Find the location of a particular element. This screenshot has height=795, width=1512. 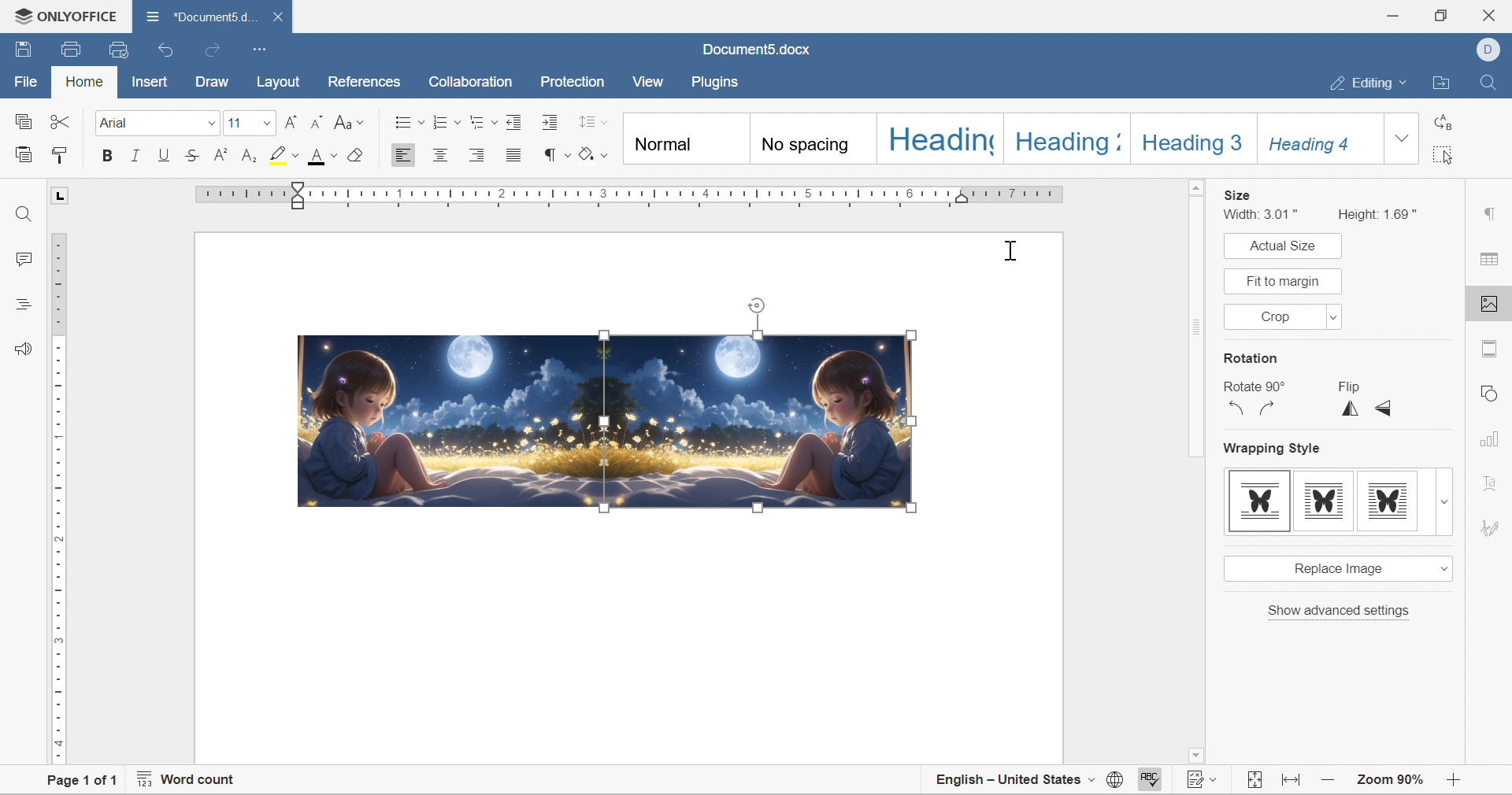

Increment font size is located at coordinates (289, 121).